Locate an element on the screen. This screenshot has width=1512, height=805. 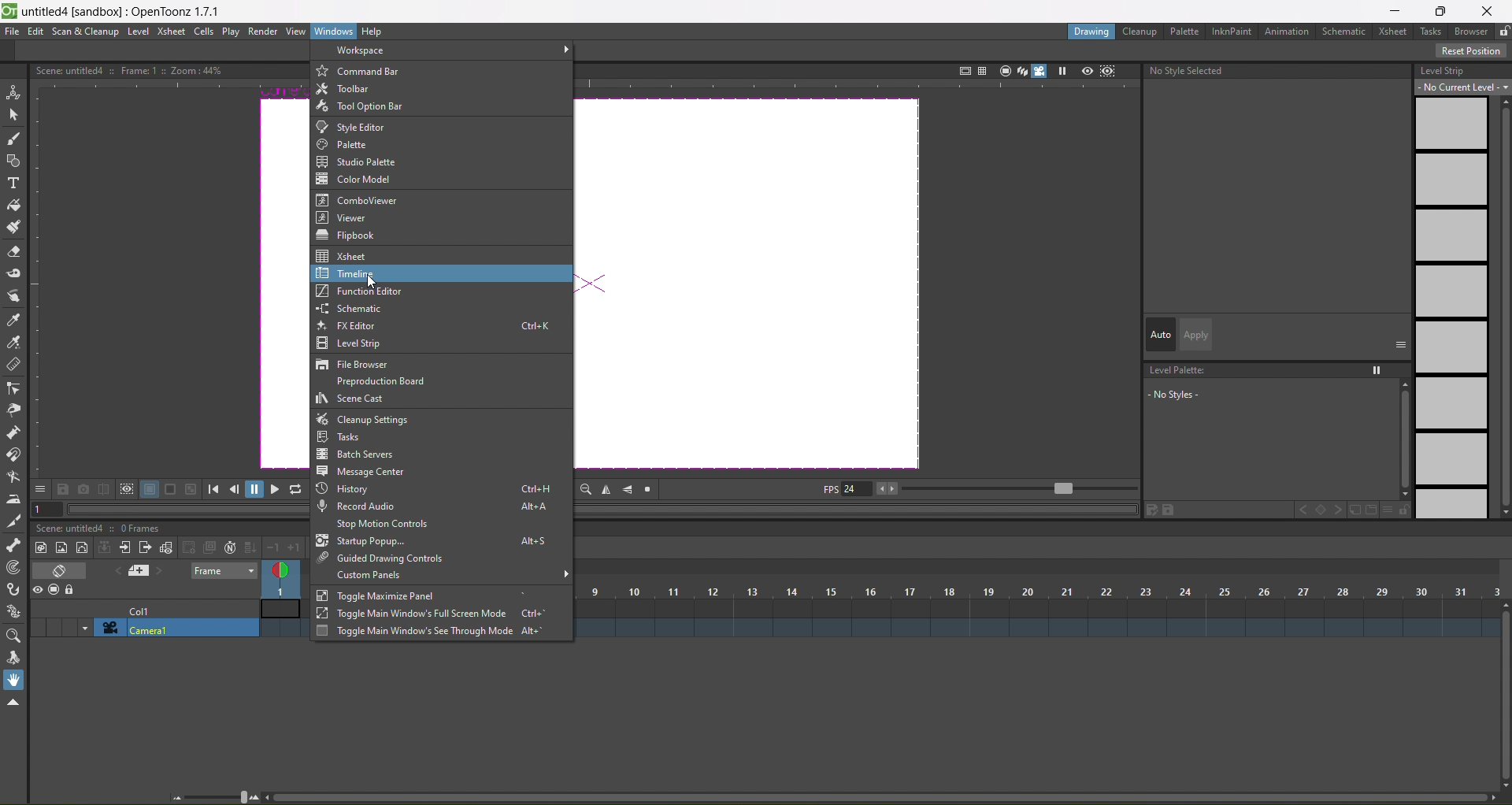
frame is located at coordinates (225, 570).